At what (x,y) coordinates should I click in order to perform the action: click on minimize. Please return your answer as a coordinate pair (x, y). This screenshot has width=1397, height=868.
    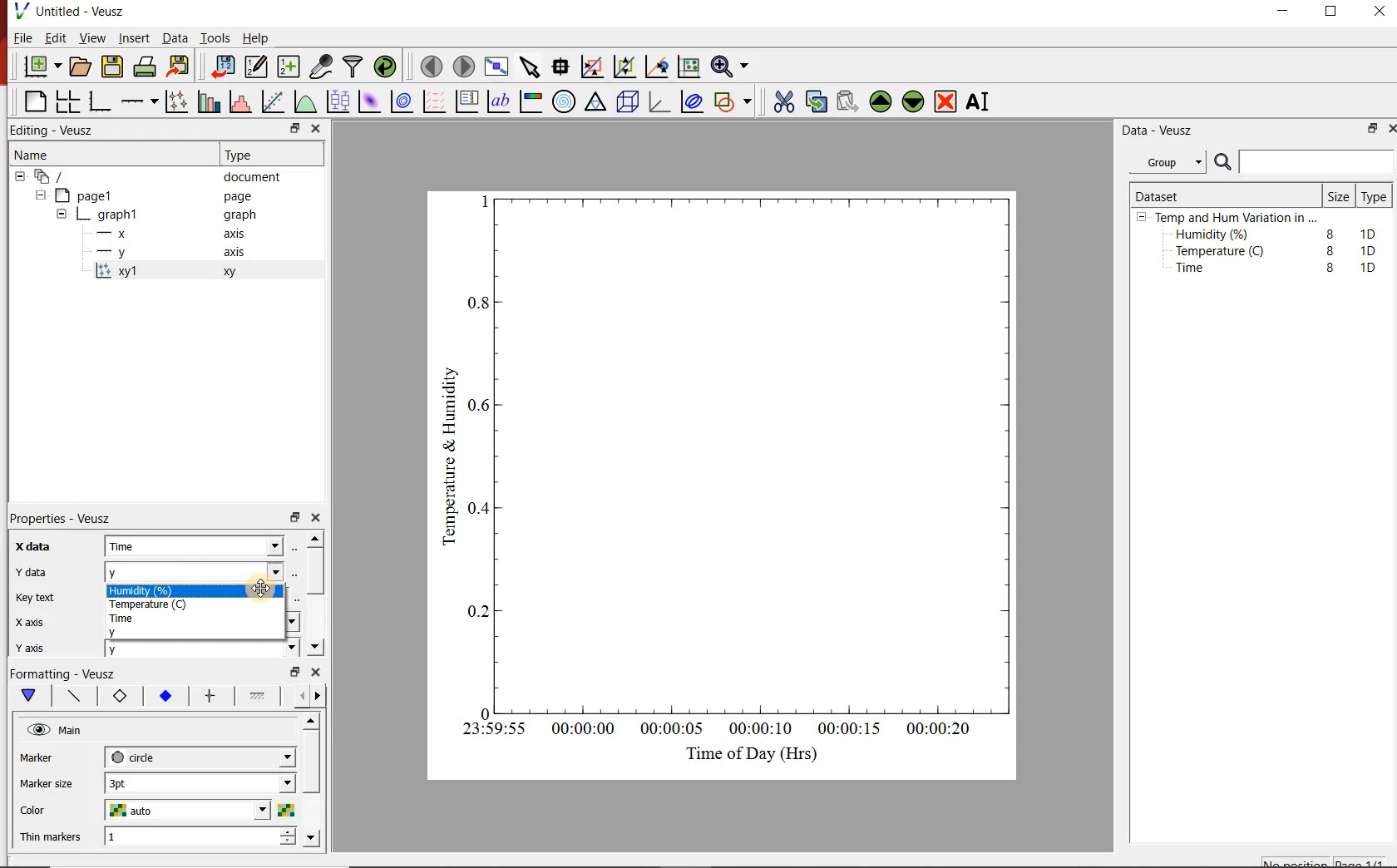
    Looking at the image, I should click on (1289, 12).